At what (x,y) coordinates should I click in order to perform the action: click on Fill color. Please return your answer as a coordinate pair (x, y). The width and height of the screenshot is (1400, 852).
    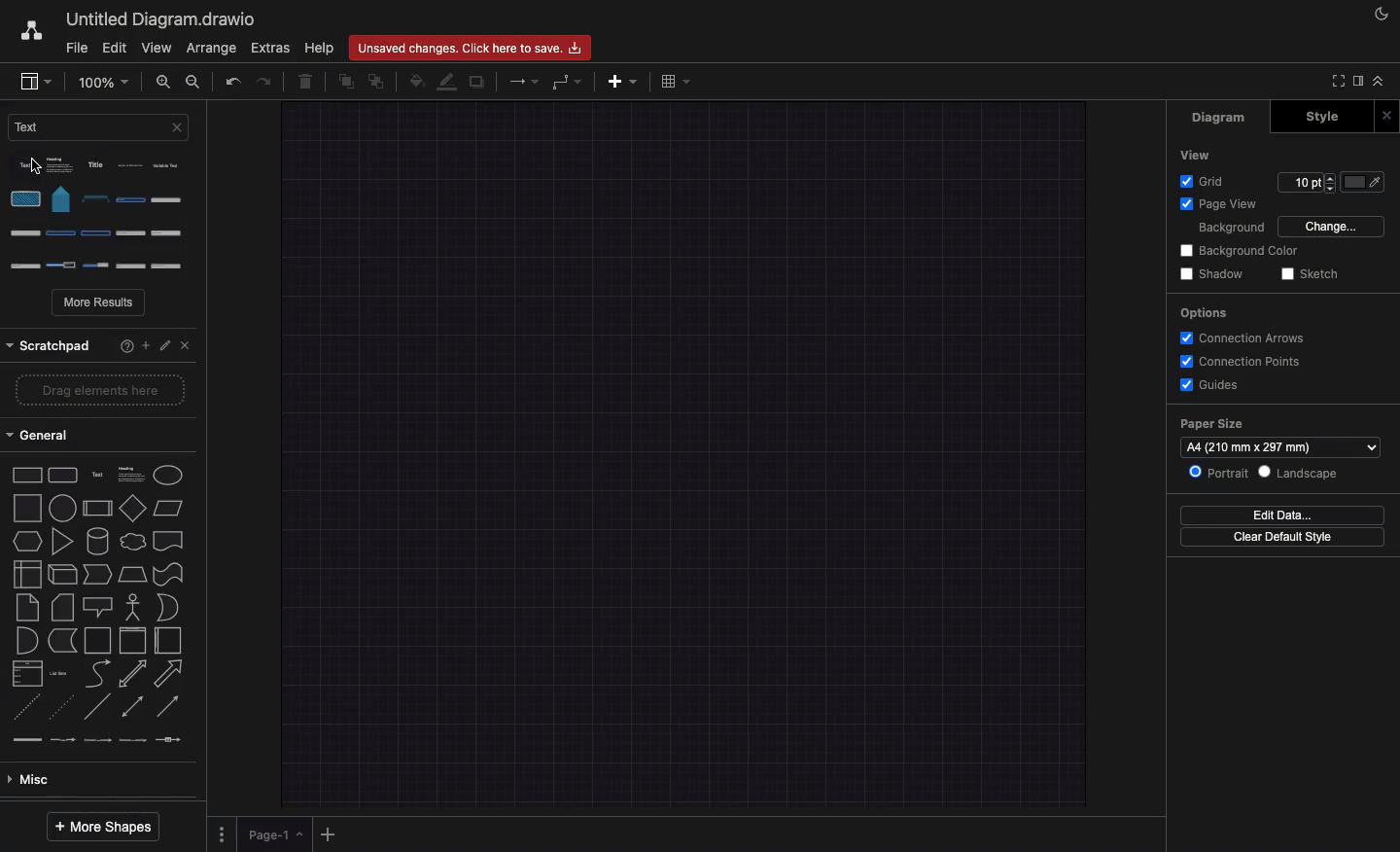
    Looking at the image, I should click on (1364, 182).